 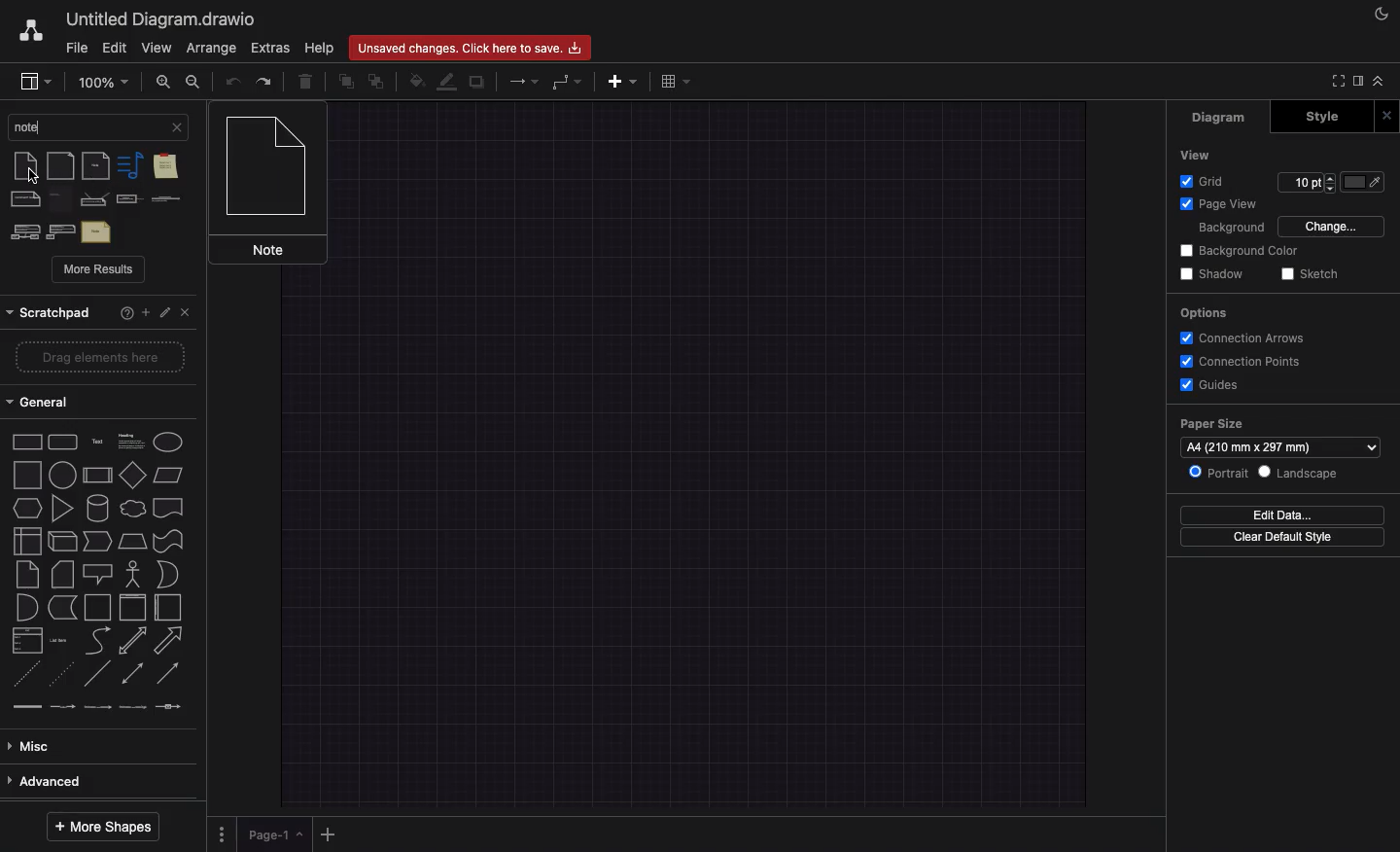 What do you see at coordinates (169, 541) in the screenshot?
I see `tape` at bounding box center [169, 541].